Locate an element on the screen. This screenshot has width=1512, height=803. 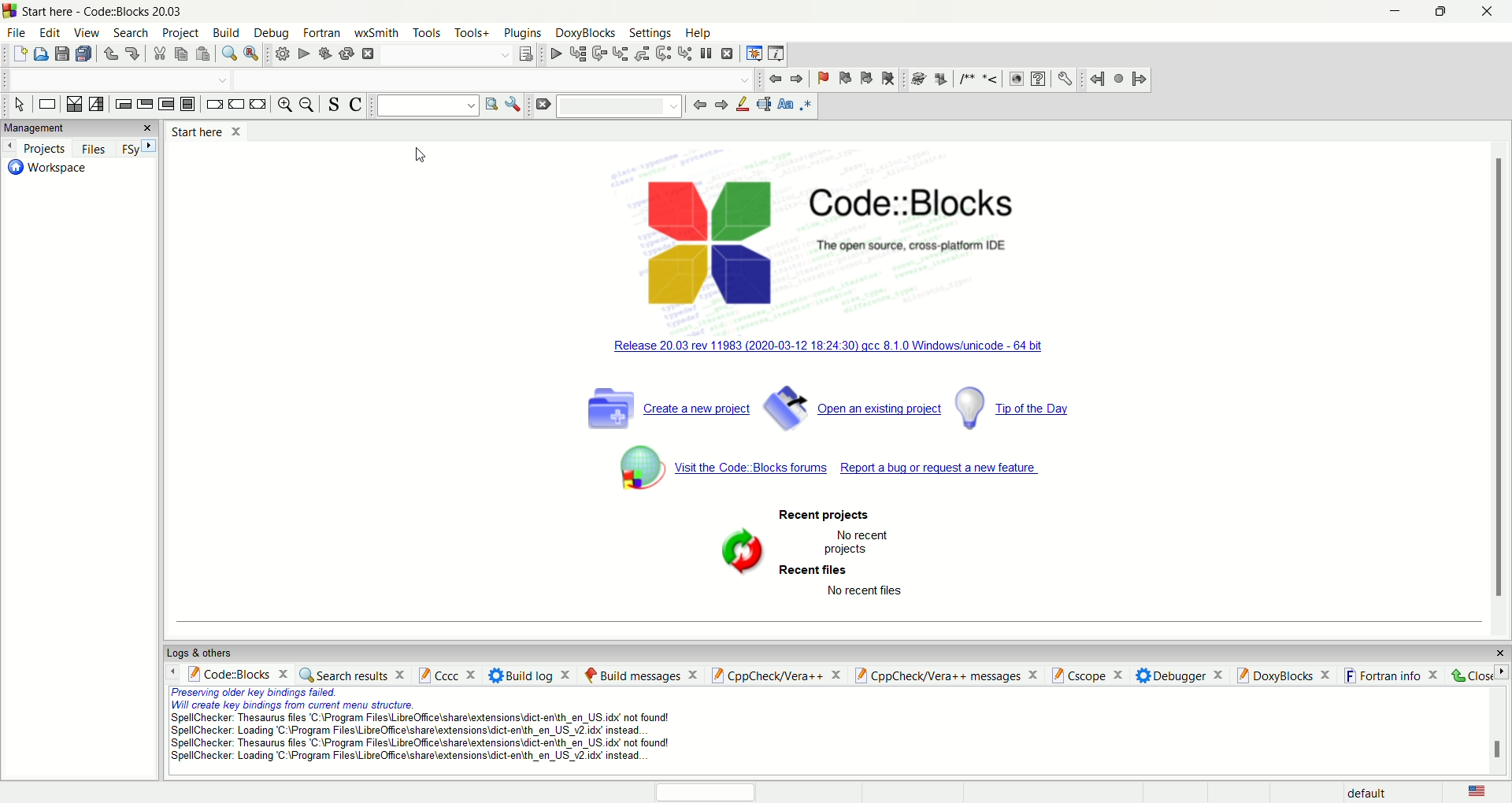
search is located at coordinates (128, 32).